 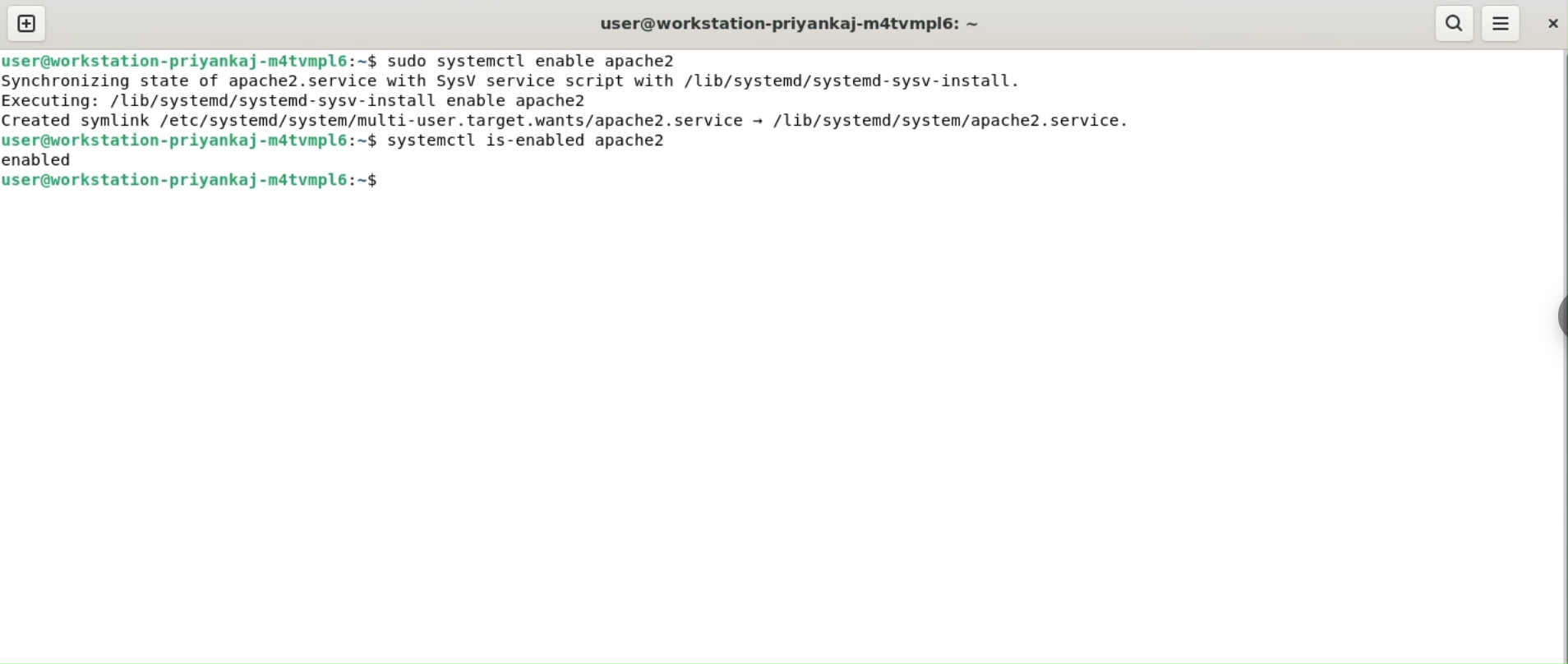 I want to click on new tab, so click(x=26, y=23).